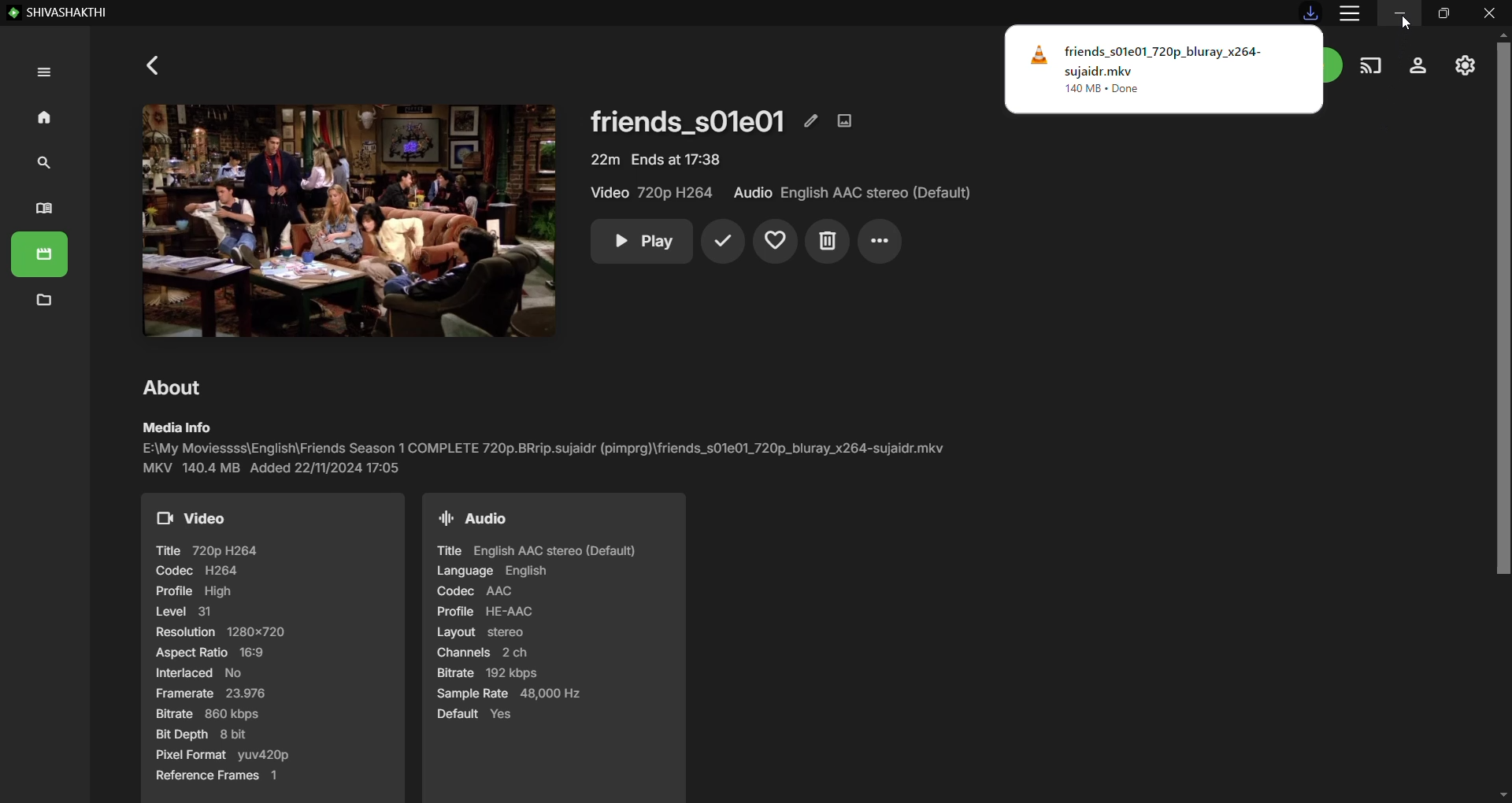 The width and height of the screenshot is (1512, 803). I want to click on Video details, so click(273, 648).